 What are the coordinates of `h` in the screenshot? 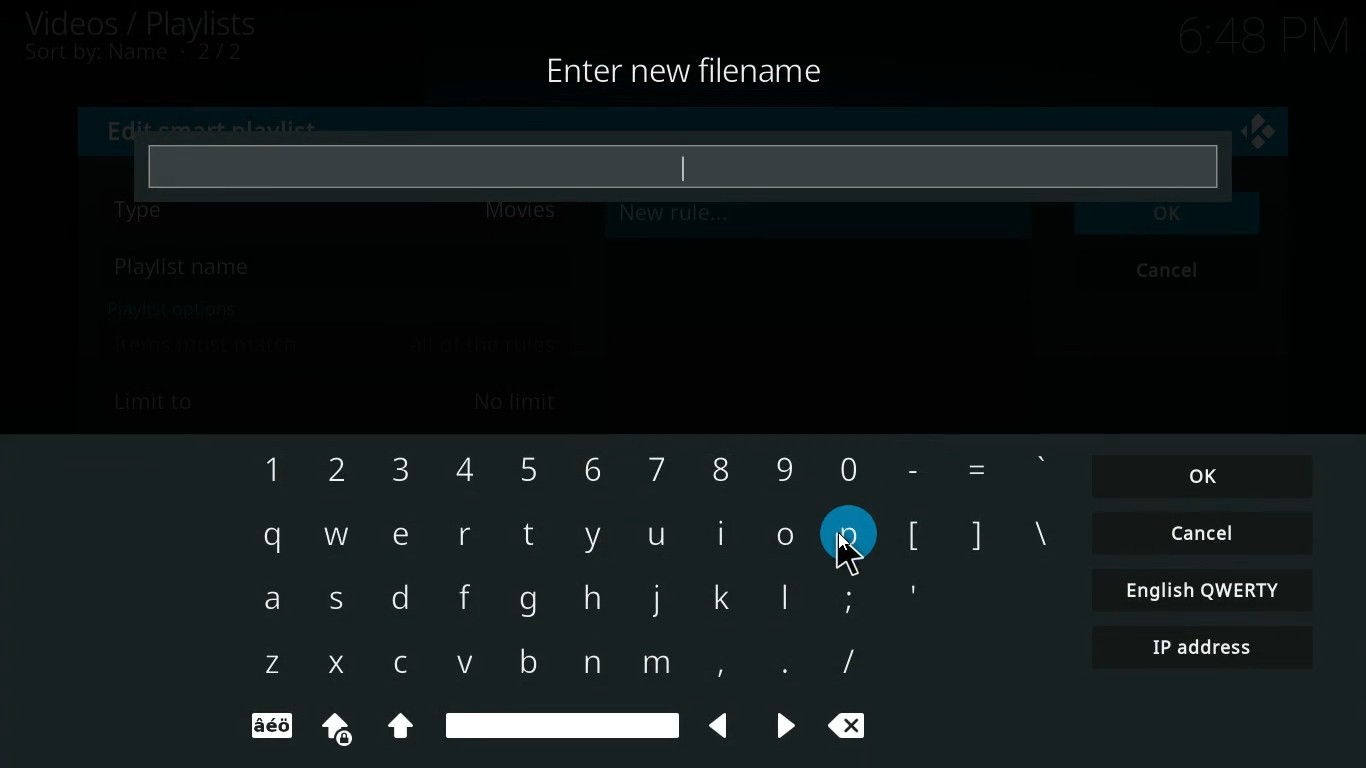 It's located at (591, 600).